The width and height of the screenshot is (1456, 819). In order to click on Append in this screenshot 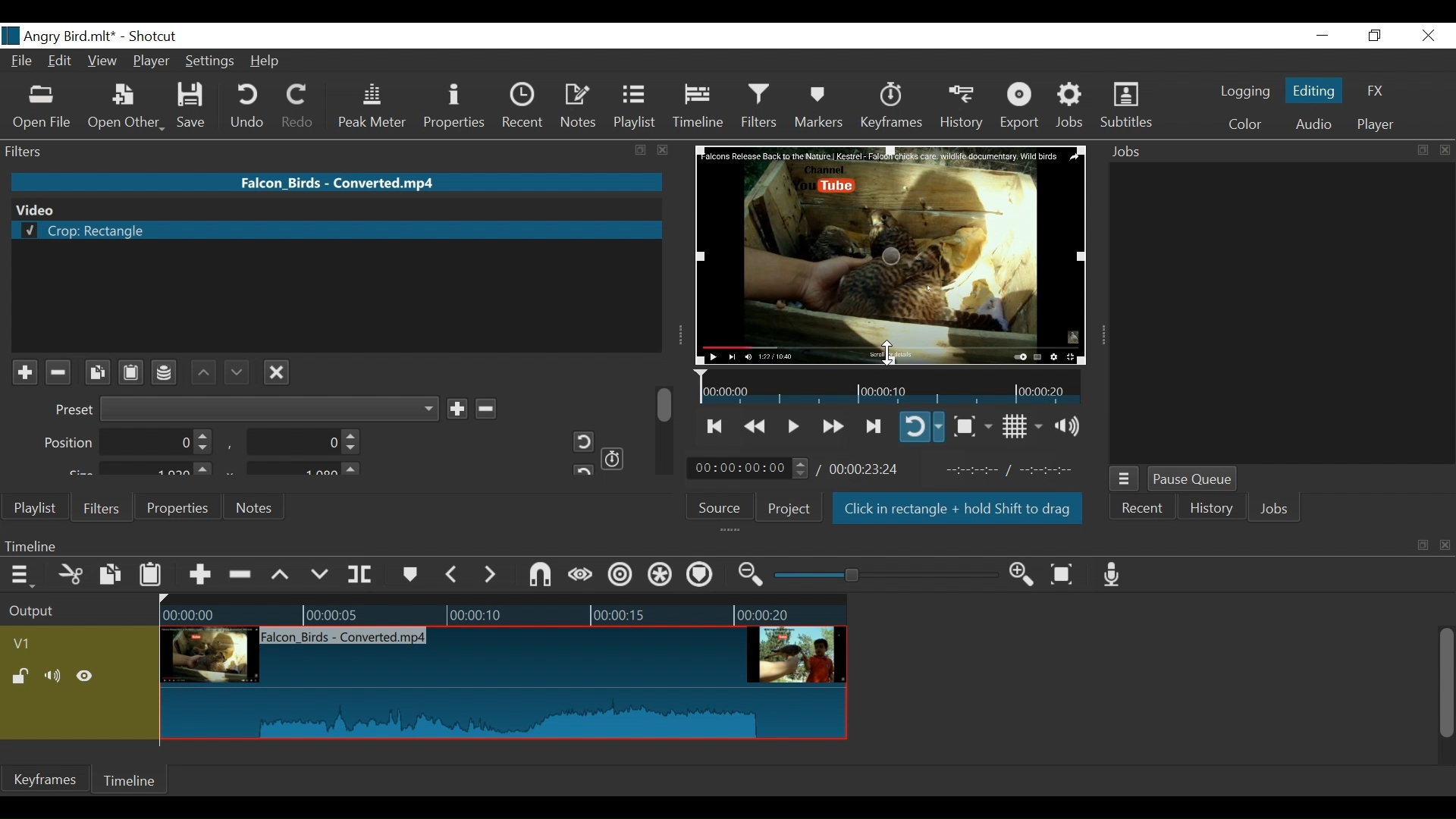, I will do `click(199, 577)`.